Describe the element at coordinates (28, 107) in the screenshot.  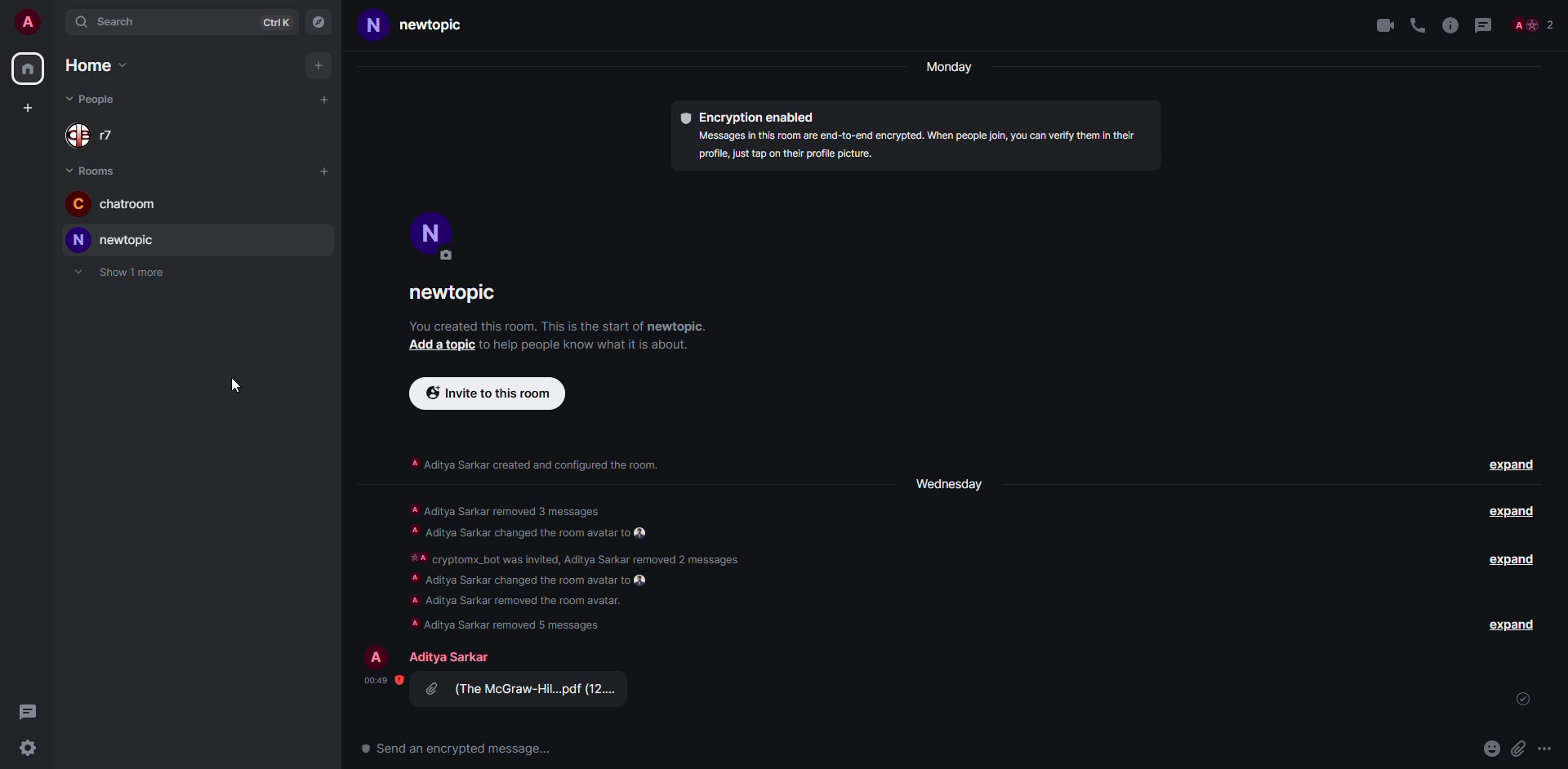
I see `add` at that location.